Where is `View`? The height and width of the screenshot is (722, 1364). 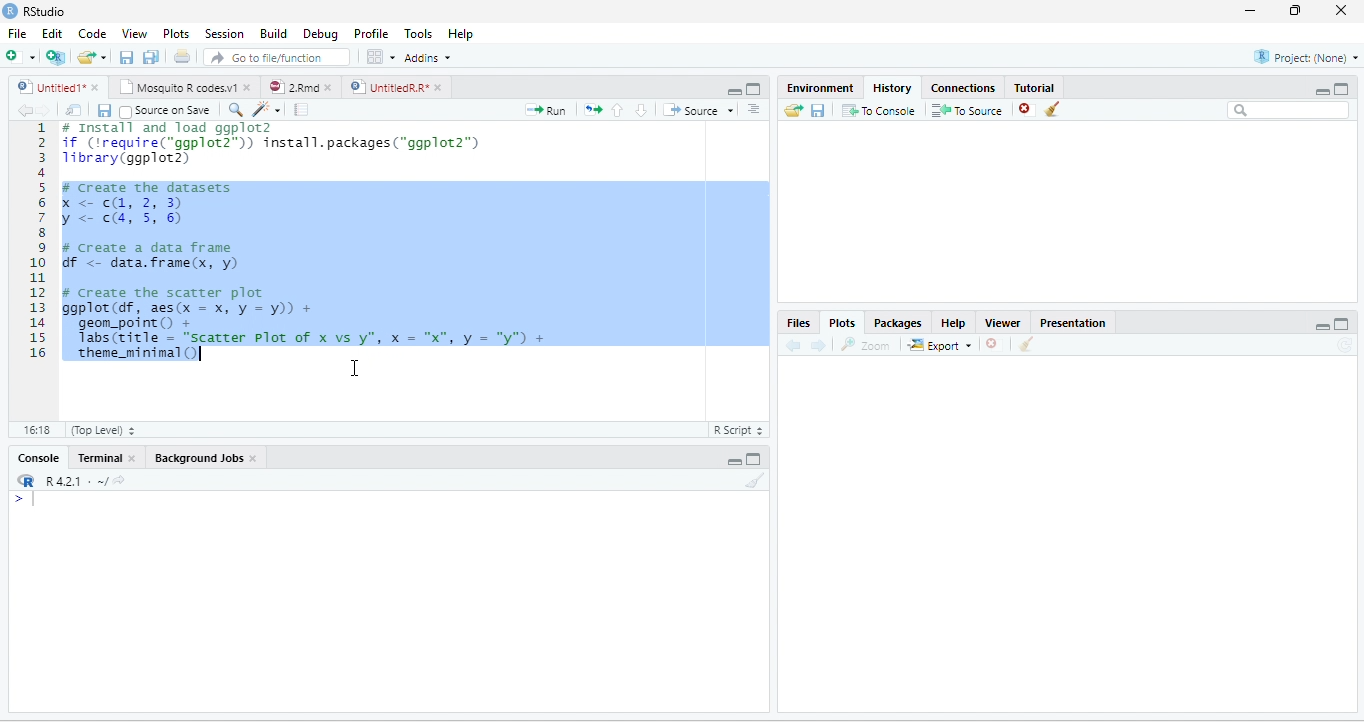 View is located at coordinates (134, 33).